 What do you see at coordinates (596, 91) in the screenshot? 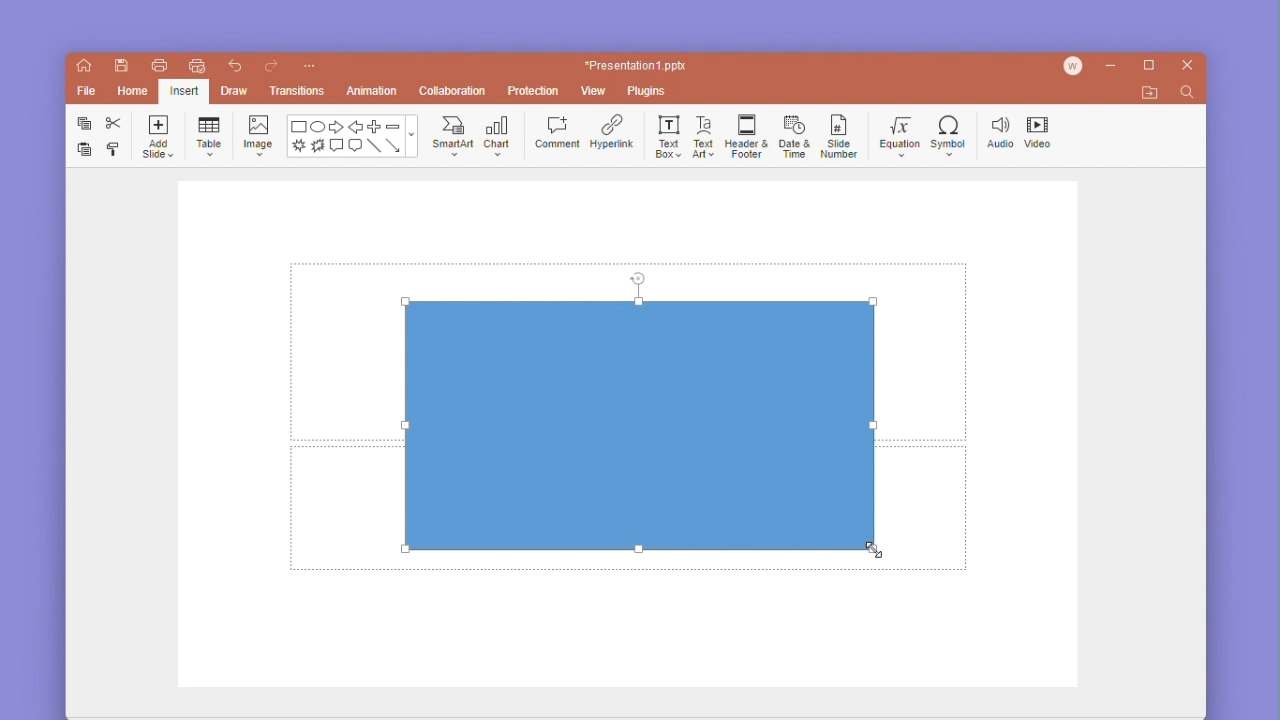
I see `view` at bounding box center [596, 91].